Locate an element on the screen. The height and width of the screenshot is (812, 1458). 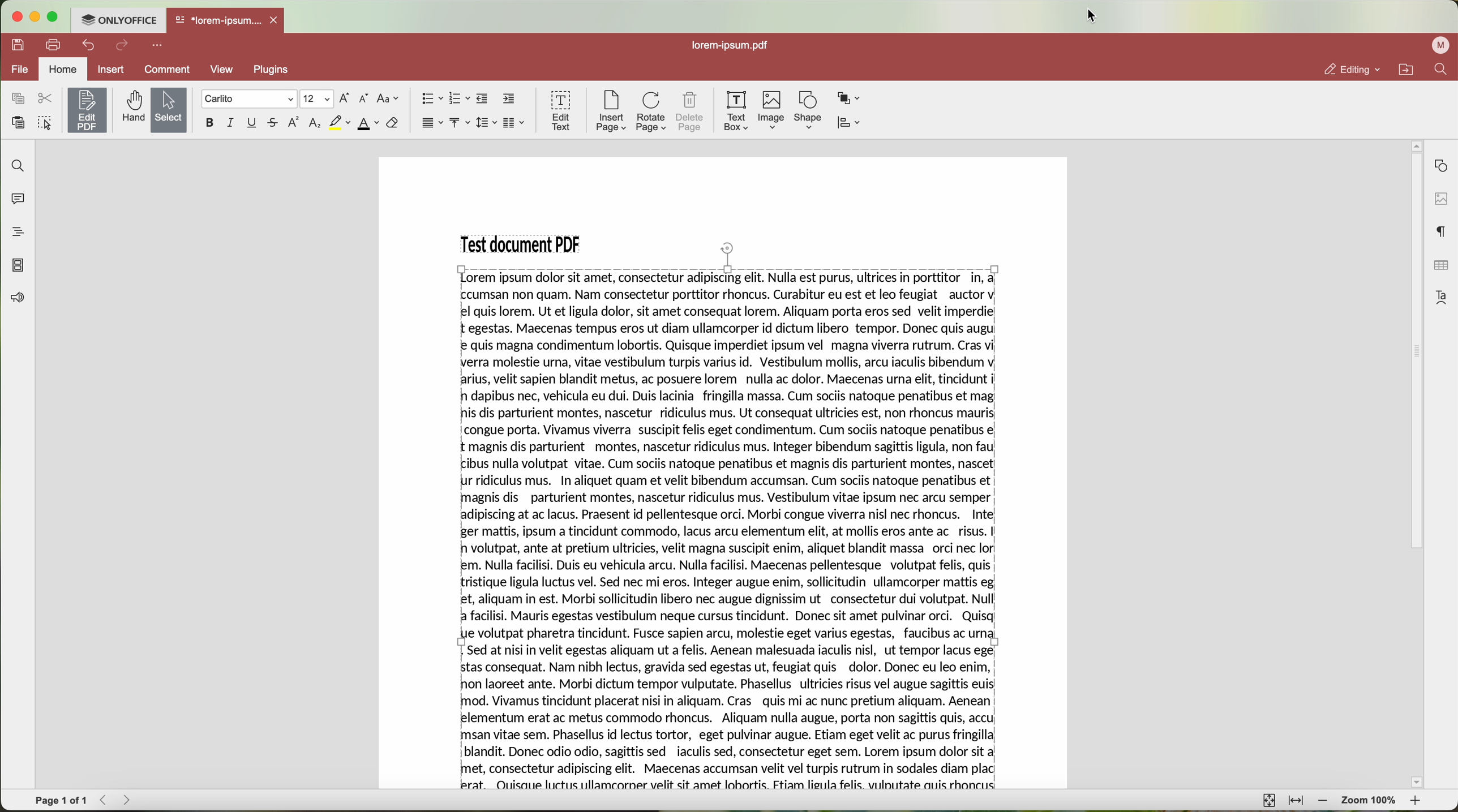
superscript is located at coordinates (293, 122).